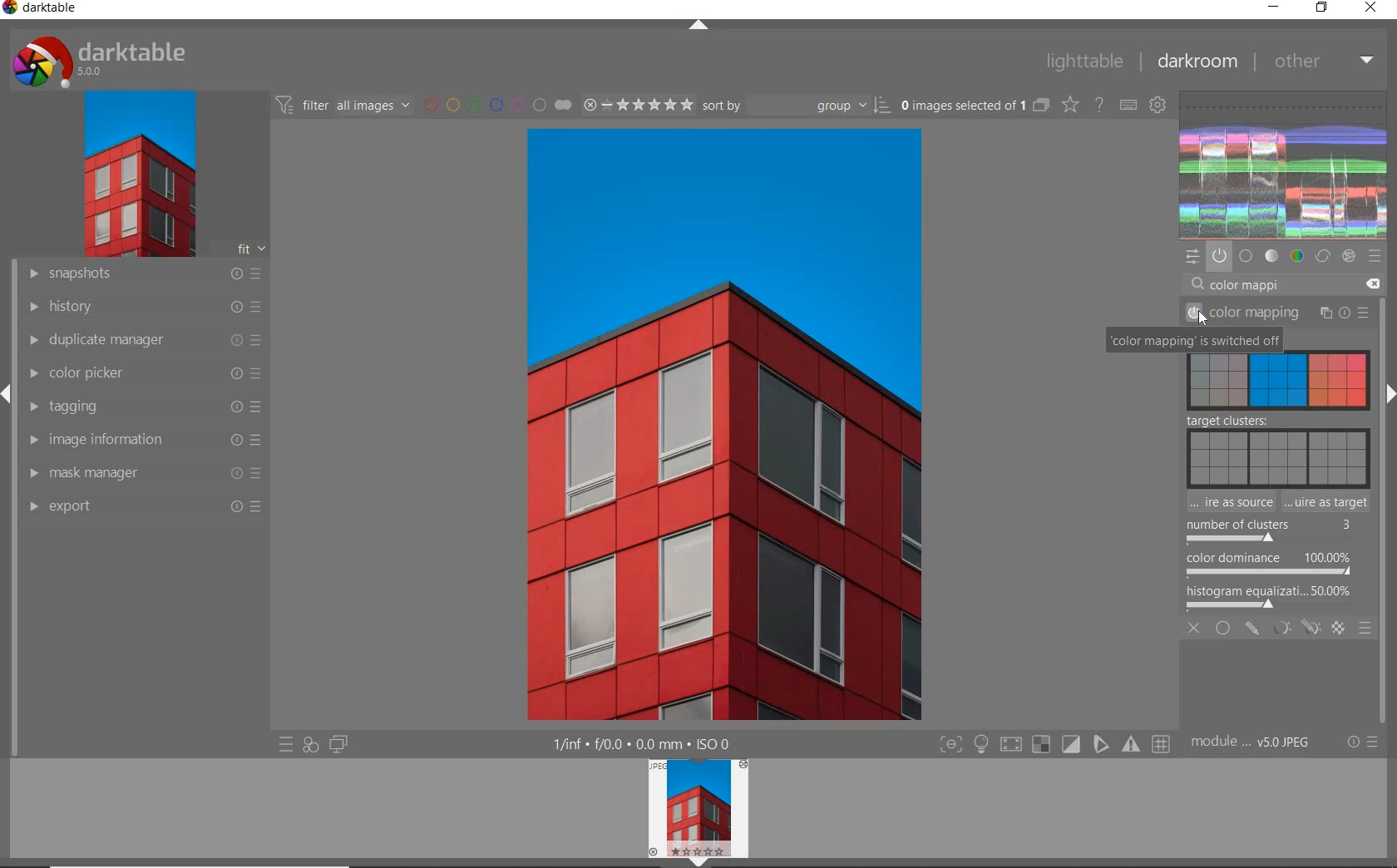 The height and width of the screenshot is (868, 1397). Describe the element at coordinates (1293, 629) in the screenshot. I see `MASKING OPTIONS` at that location.